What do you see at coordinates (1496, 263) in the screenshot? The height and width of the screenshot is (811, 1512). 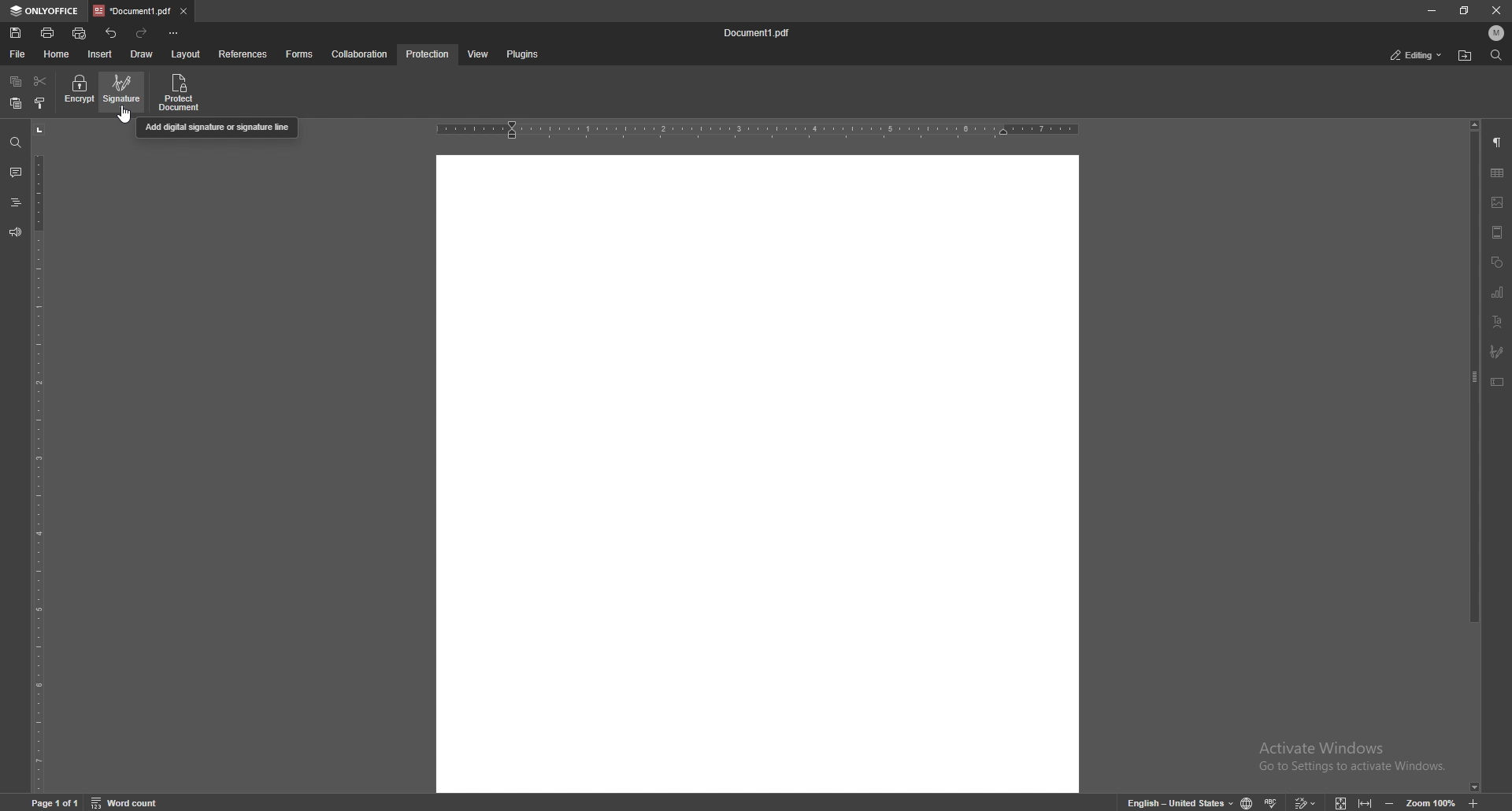 I see `shapes` at bounding box center [1496, 263].